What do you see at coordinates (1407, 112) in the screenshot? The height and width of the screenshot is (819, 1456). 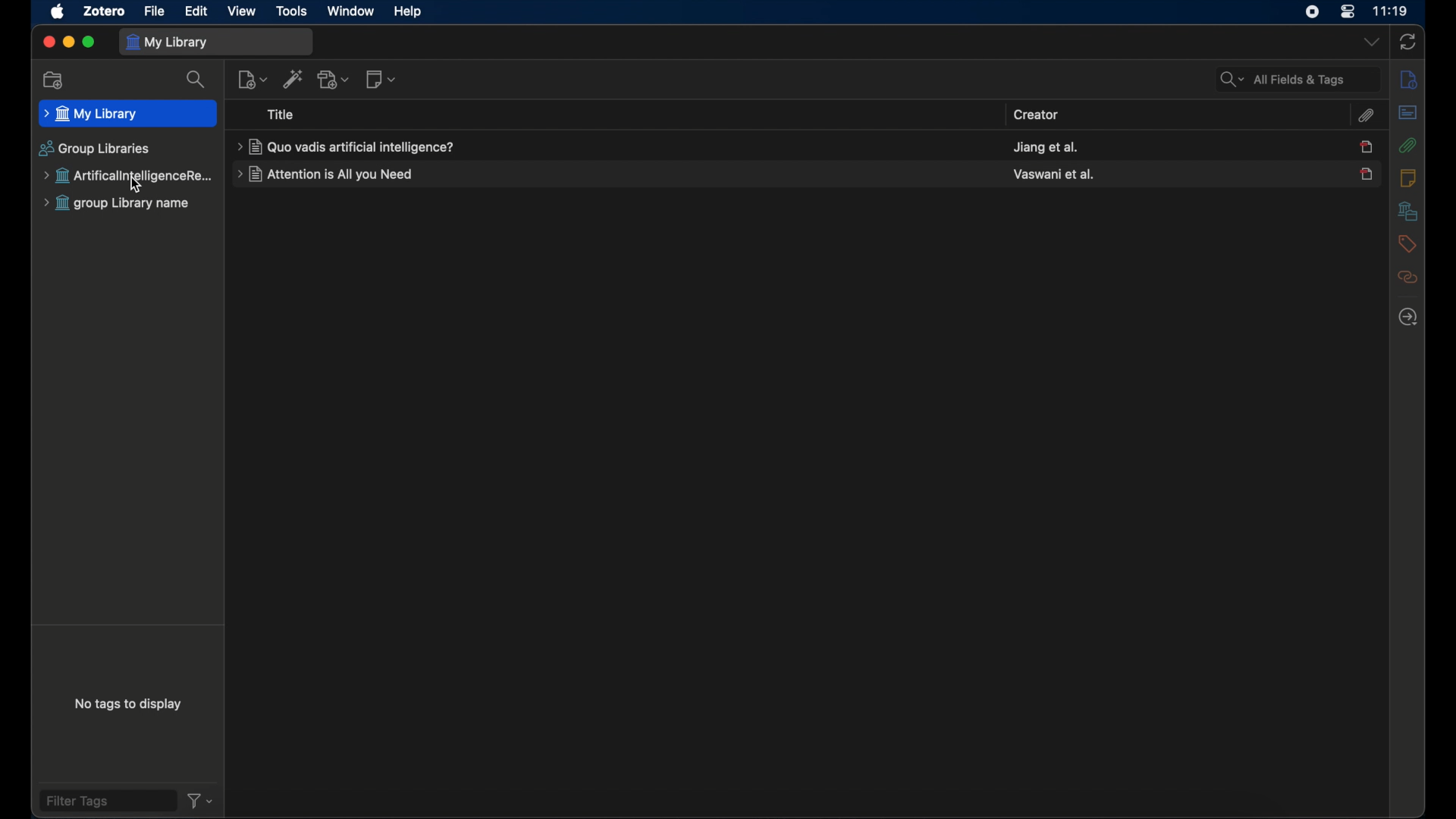 I see `abstract` at bounding box center [1407, 112].